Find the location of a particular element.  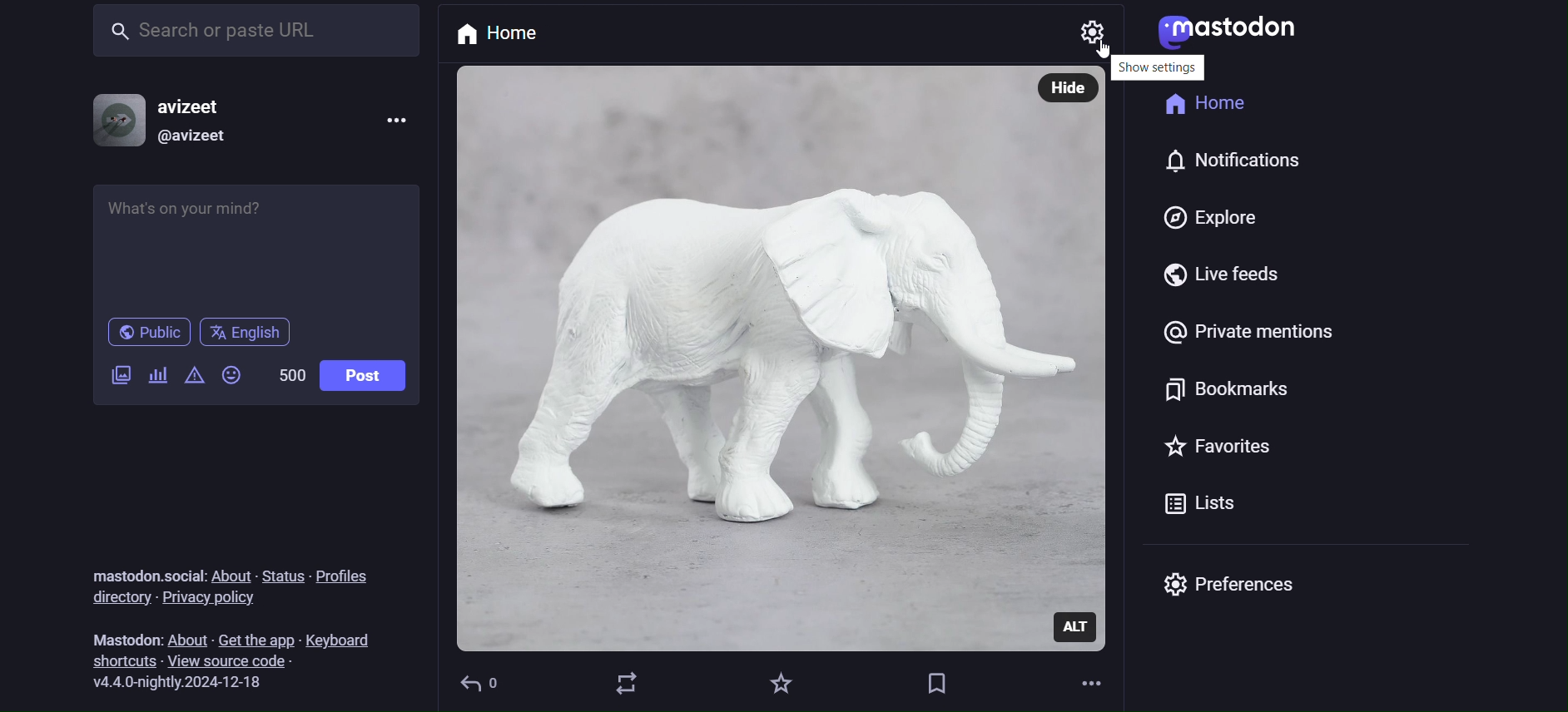

favorites is located at coordinates (782, 683).